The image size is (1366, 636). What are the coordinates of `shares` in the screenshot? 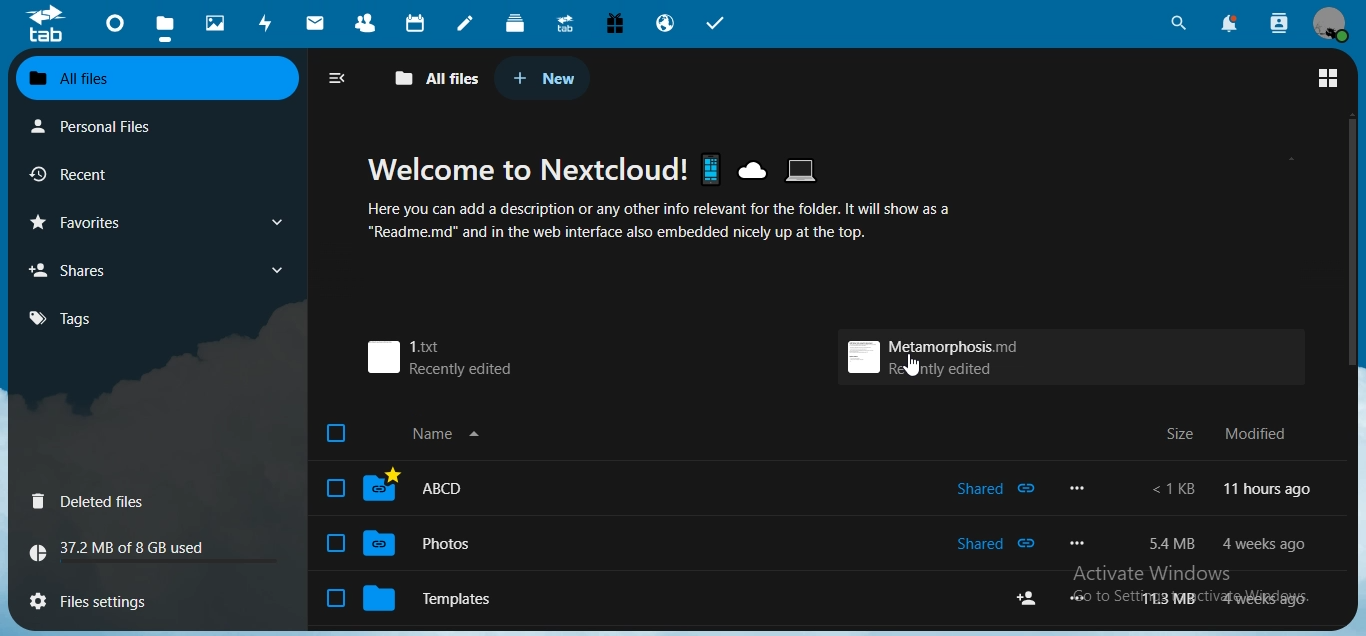 It's located at (81, 272).